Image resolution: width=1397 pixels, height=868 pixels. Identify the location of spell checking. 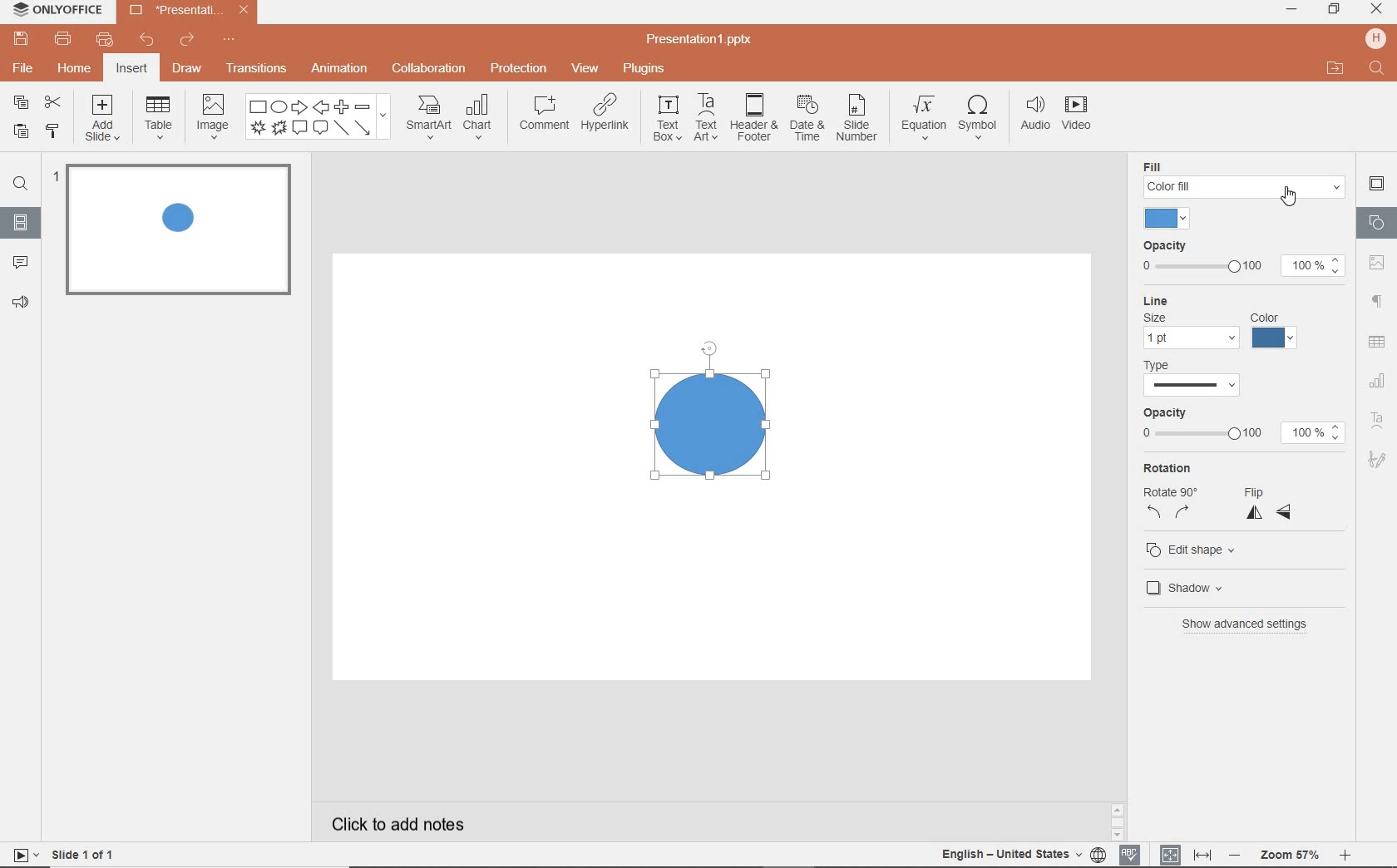
(1130, 853).